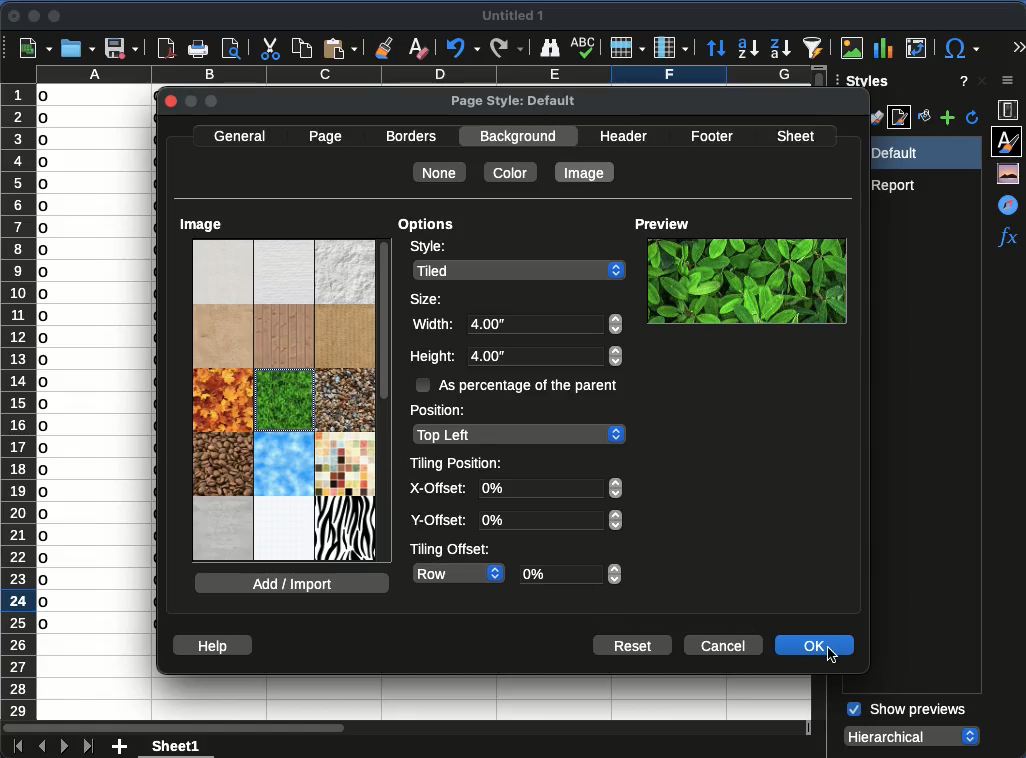 The height and width of the screenshot is (758, 1026). What do you see at coordinates (780, 48) in the screenshot?
I see `descending` at bounding box center [780, 48].